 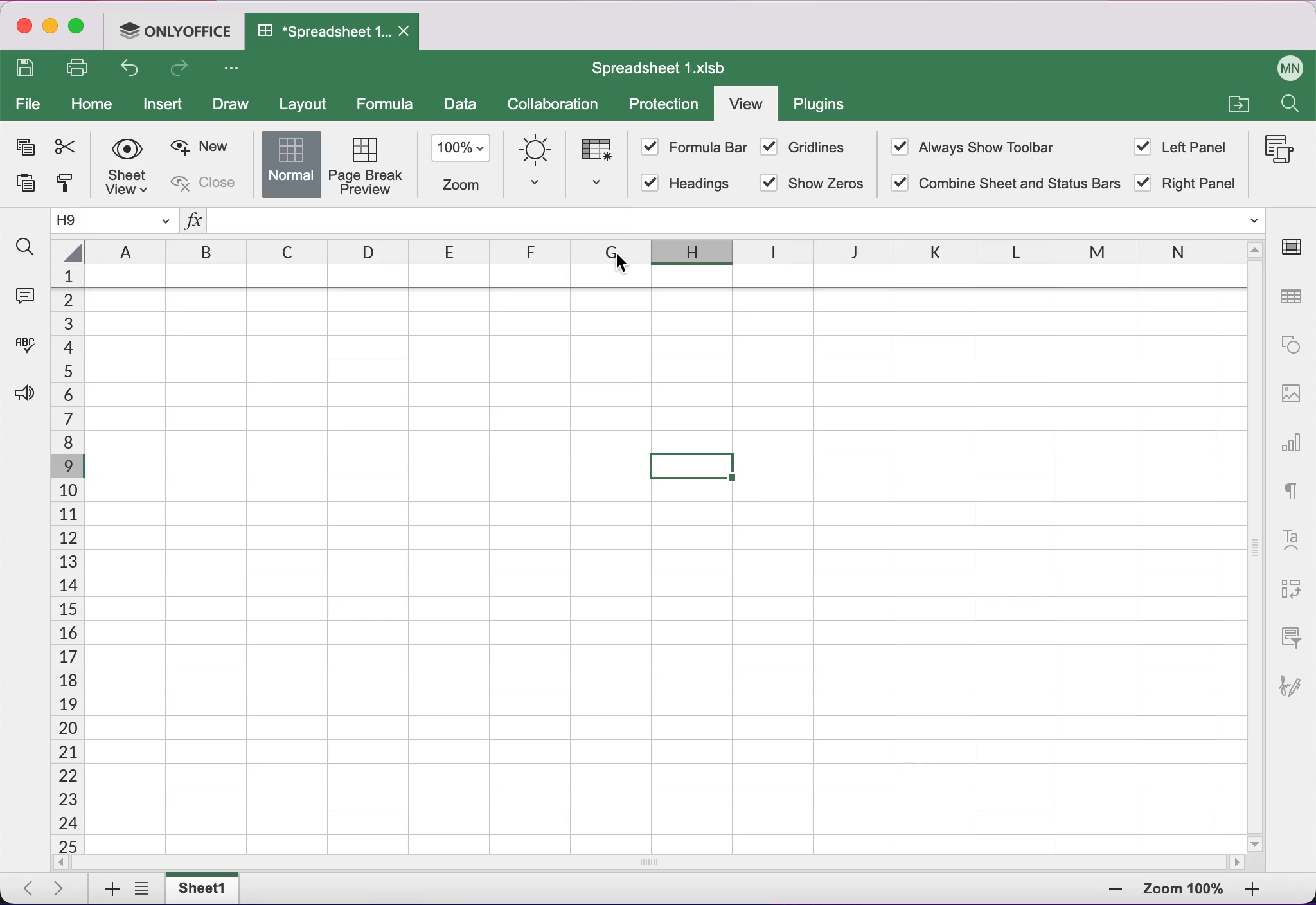 I want to click on data, so click(x=461, y=107).